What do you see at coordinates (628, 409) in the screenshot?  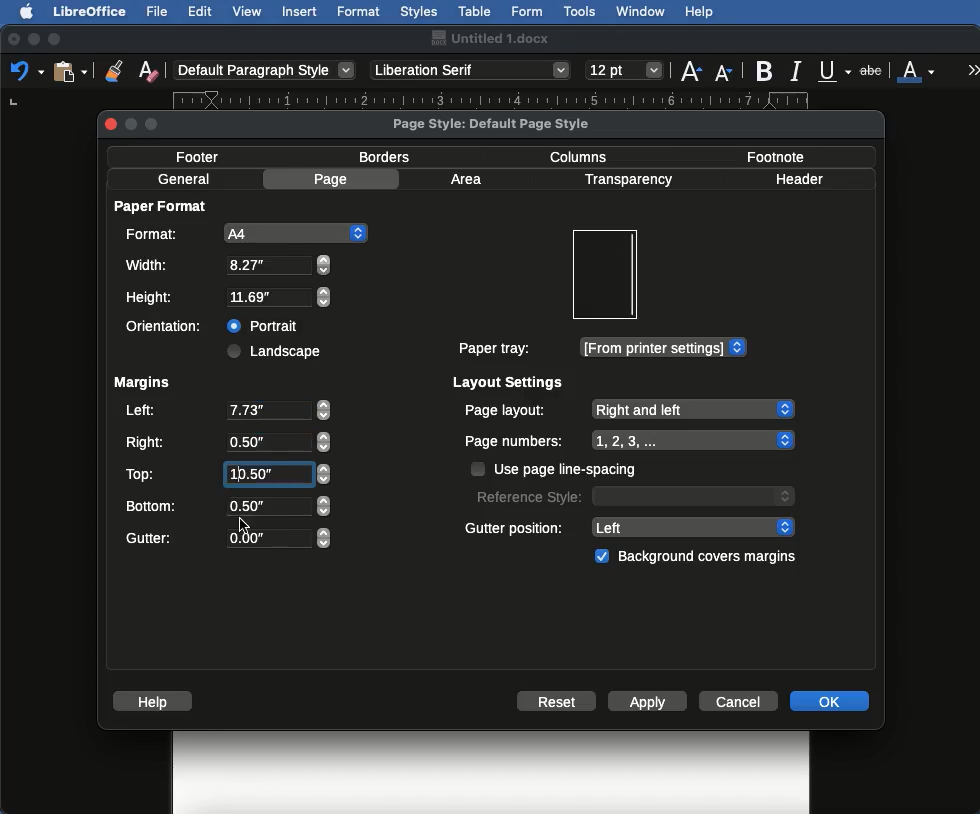 I see `Page layout` at bounding box center [628, 409].